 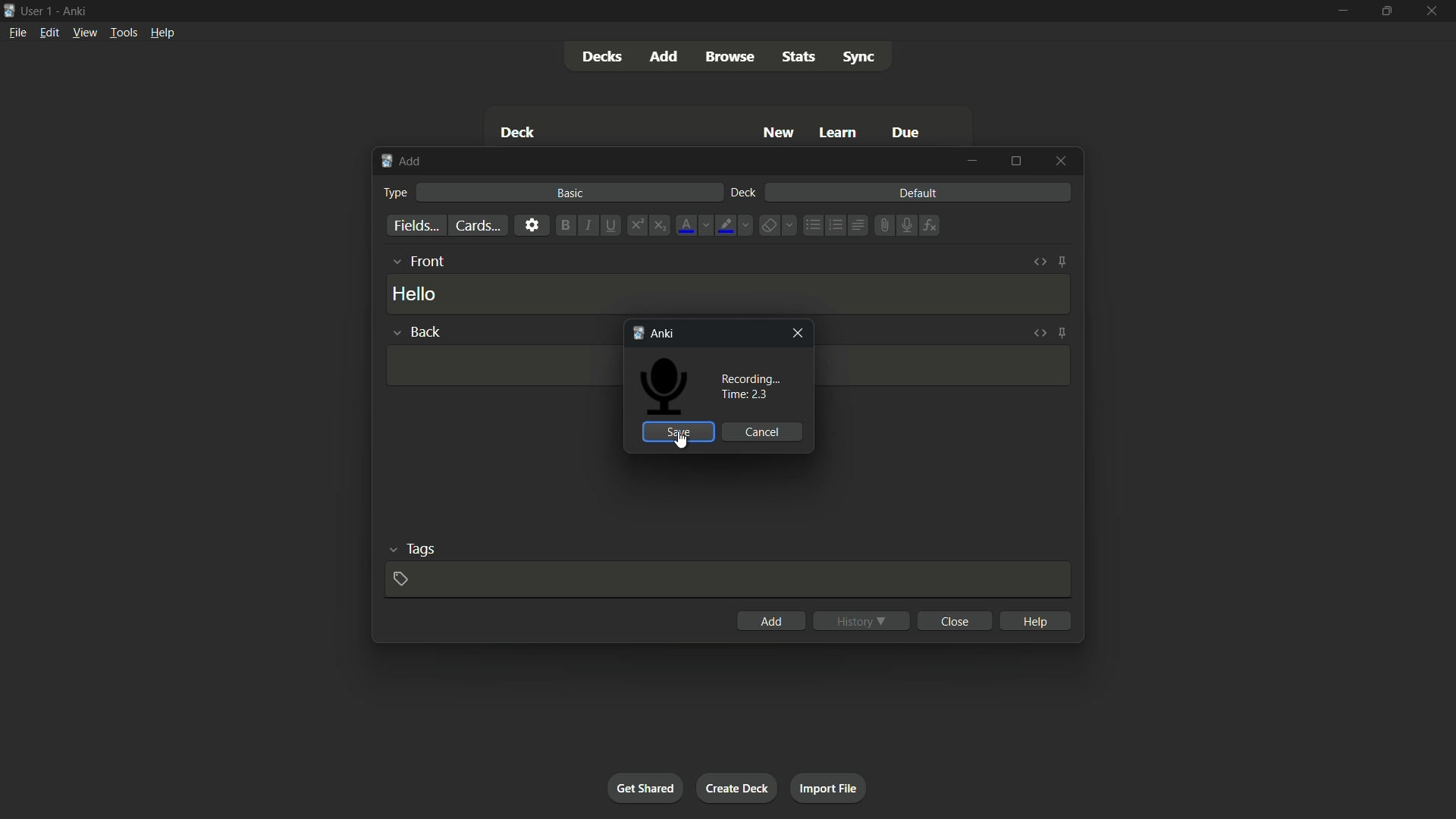 What do you see at coordinates (636, 224) in the screenshot?
I see `superscript` at bounding box center [636, 224].